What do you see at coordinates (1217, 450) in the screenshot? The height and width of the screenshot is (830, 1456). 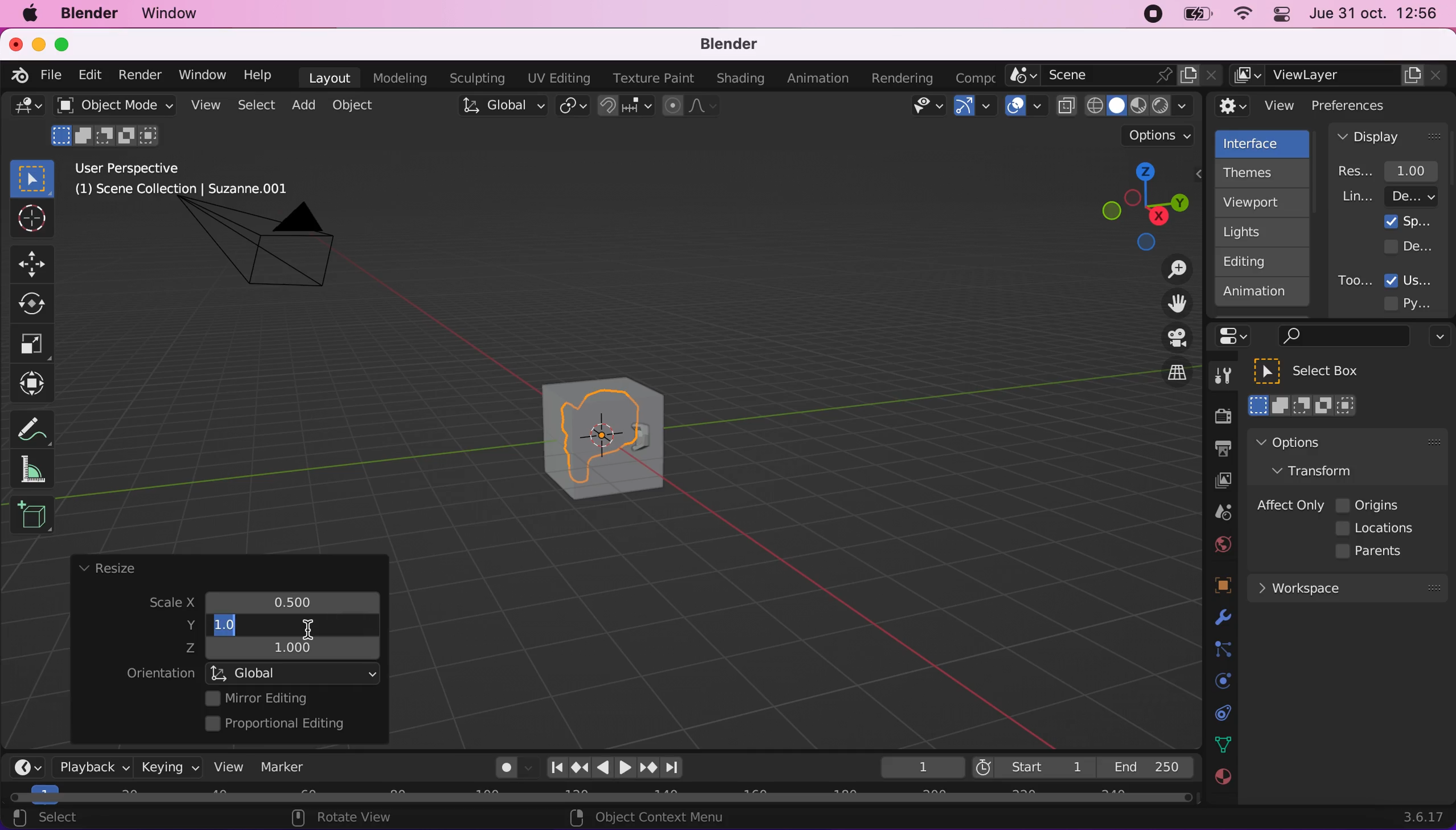 I see `output` at bounding box center [1217, 450].